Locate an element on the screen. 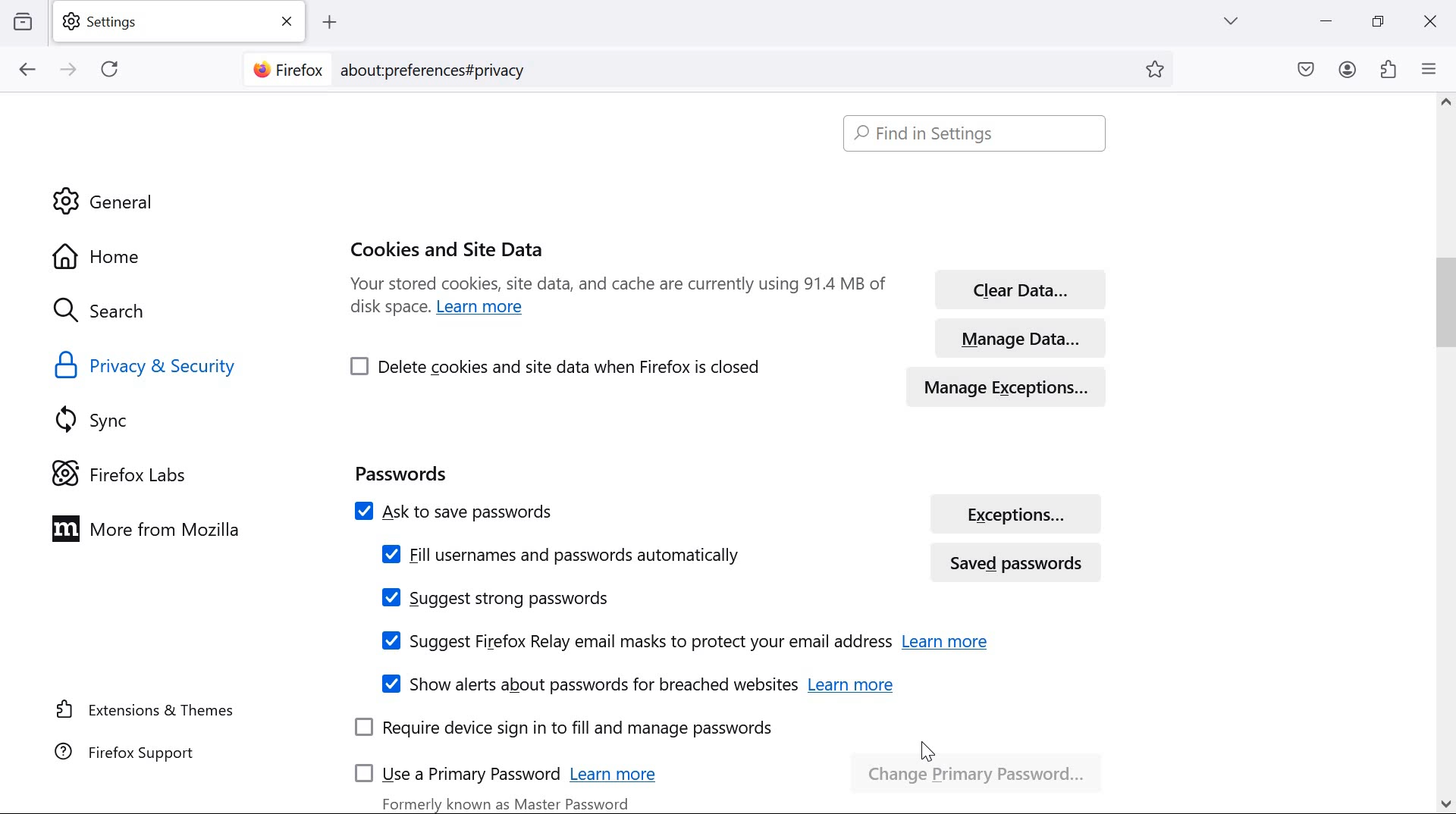  Delete cookies and site data when Firefox is closed is located at coordinates (557, 365).